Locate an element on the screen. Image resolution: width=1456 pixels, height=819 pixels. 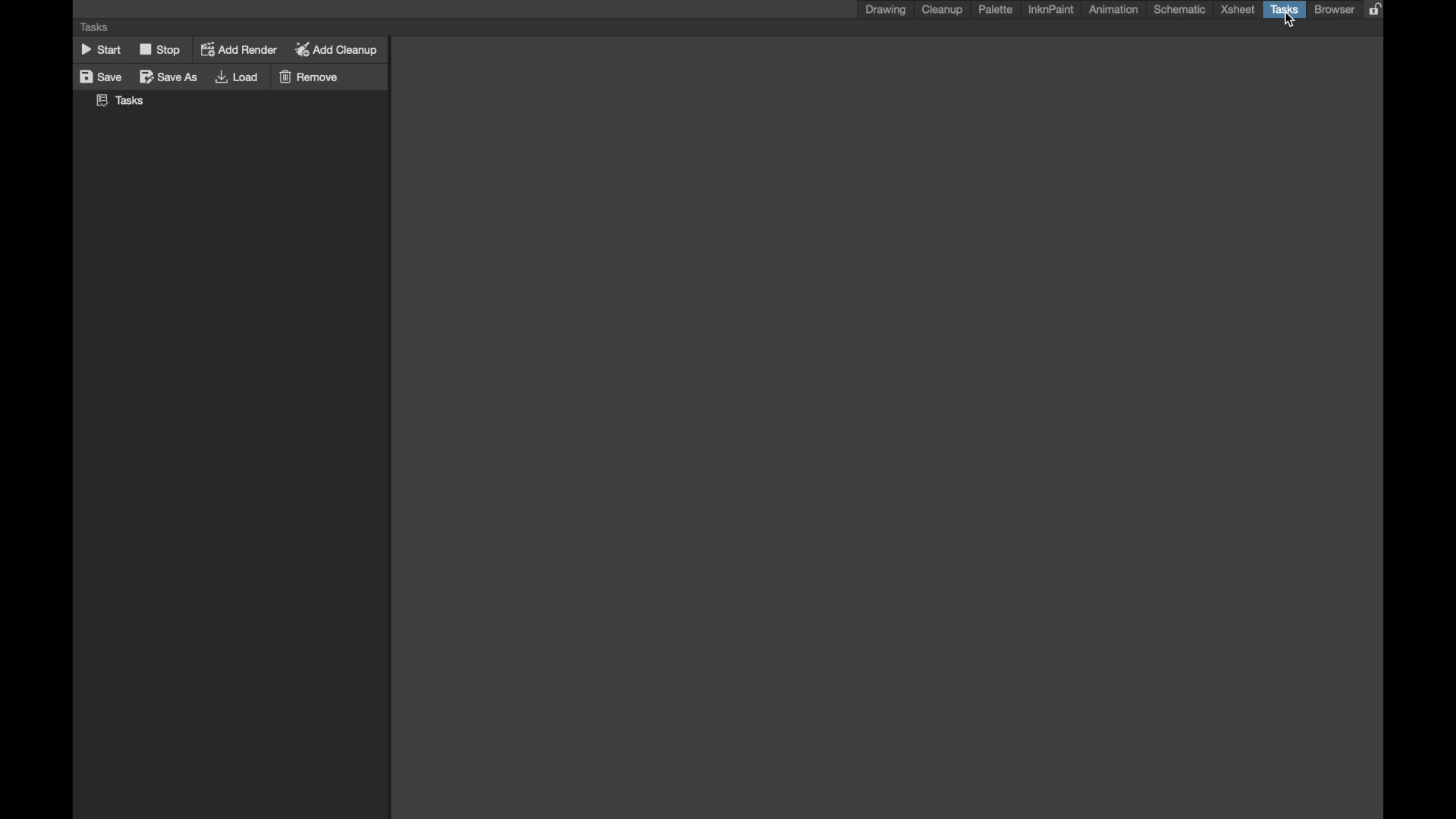
tasks is located at coordinates (1287, 10).